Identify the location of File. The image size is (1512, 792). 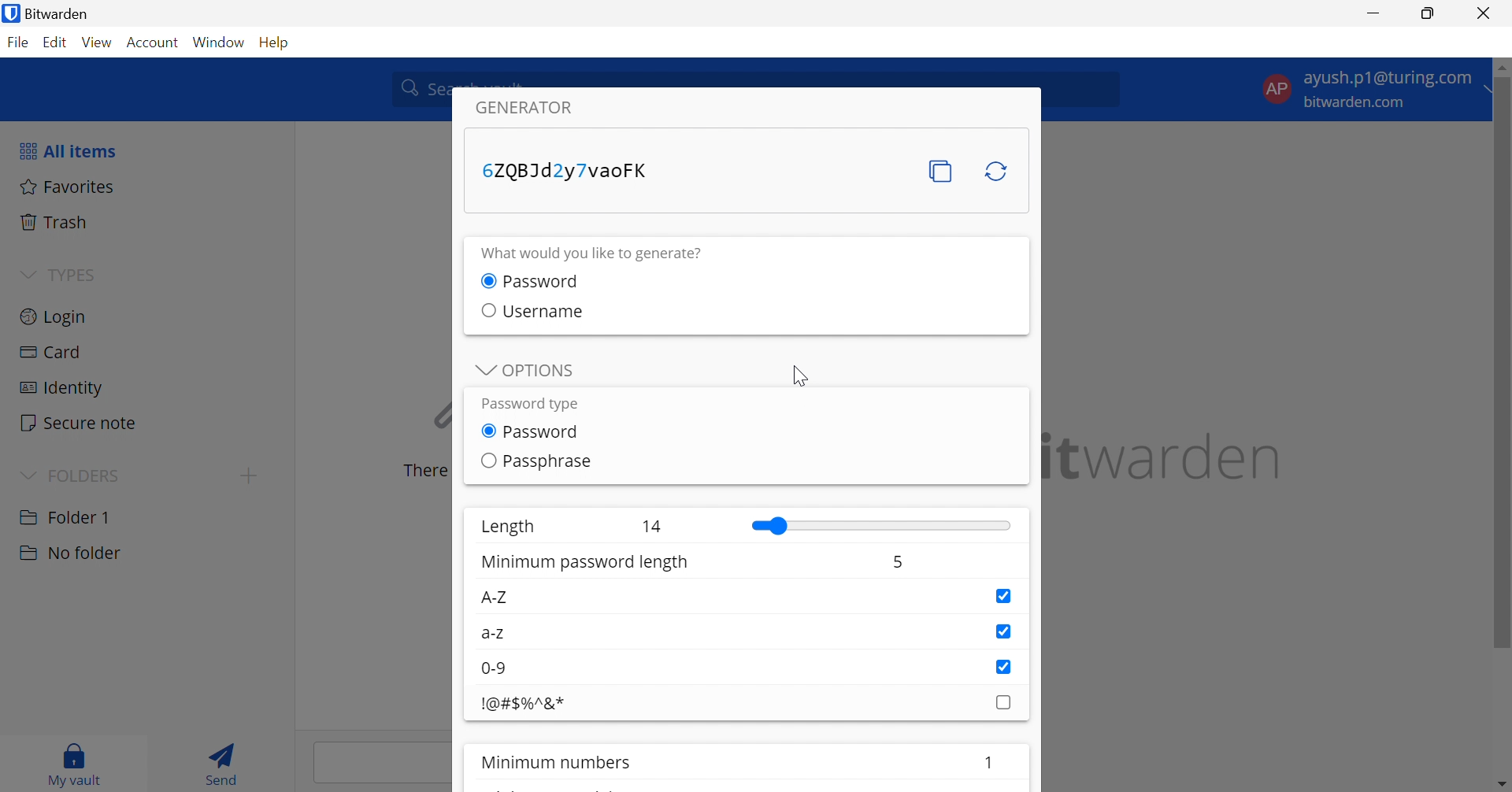
(17, 43).